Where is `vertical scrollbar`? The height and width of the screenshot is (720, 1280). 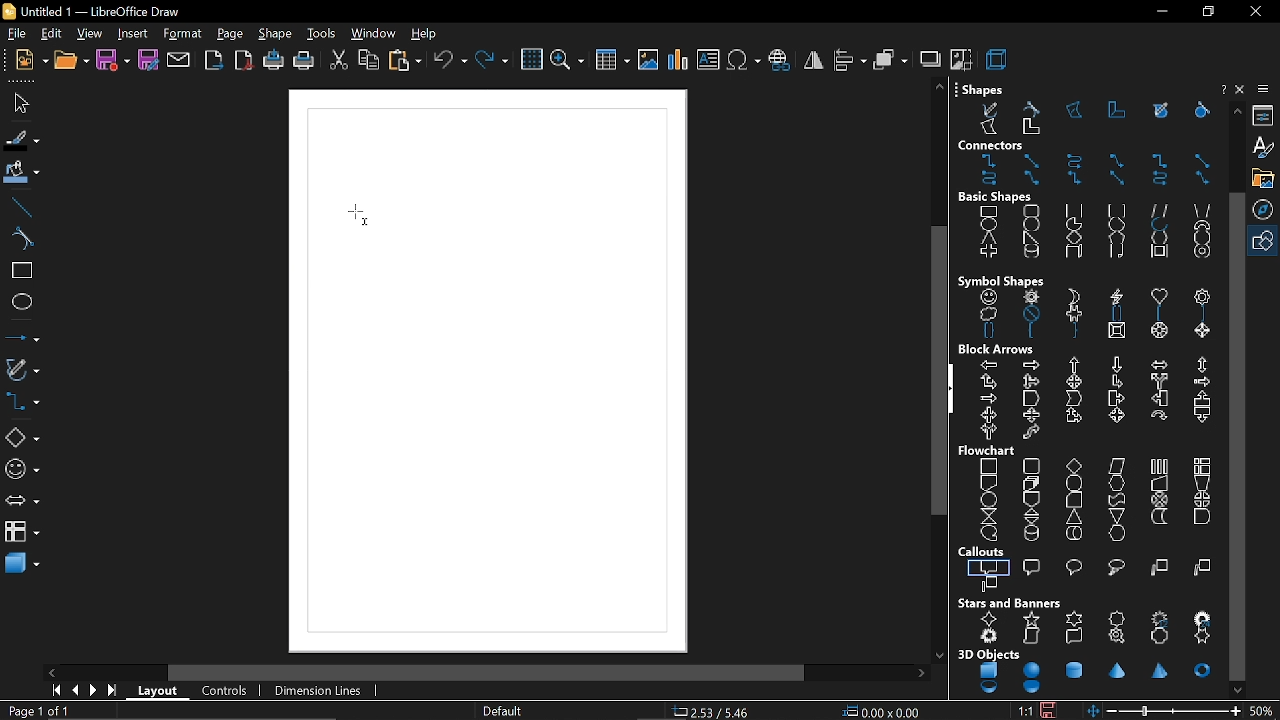 vertical scrollbar is located at coordinates (1236, 437).